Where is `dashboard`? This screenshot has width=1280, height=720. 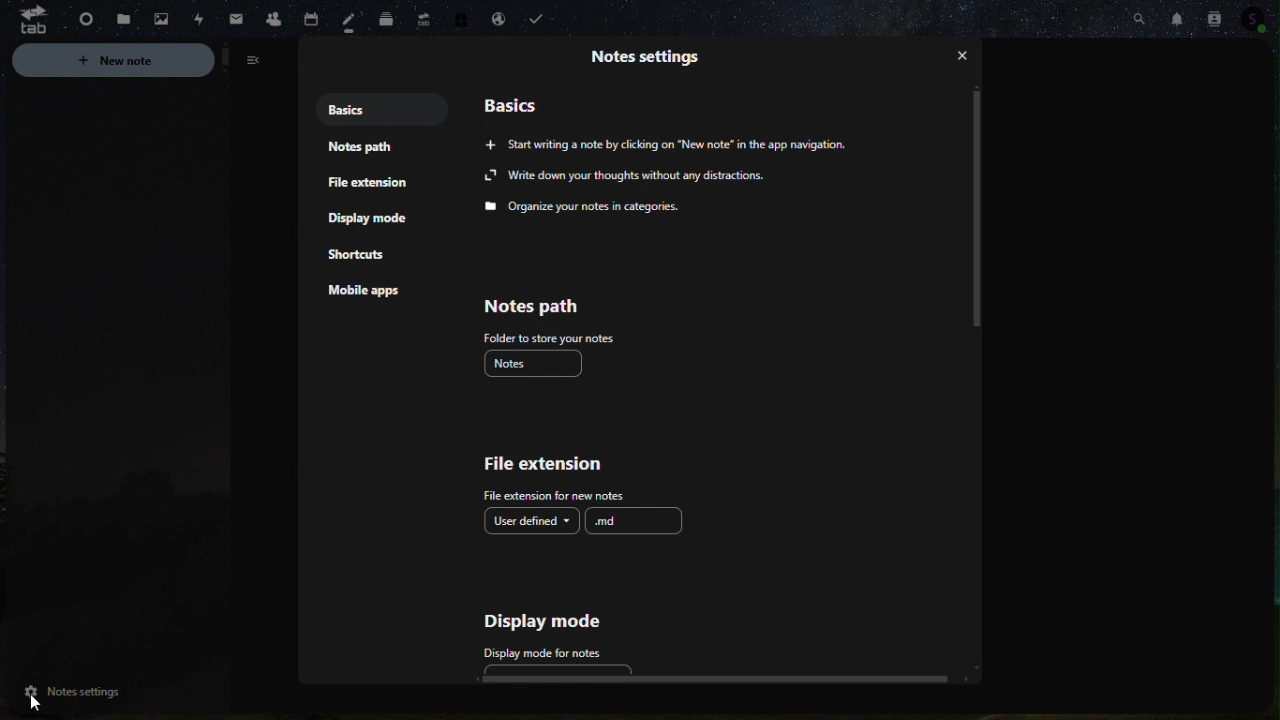 dashboard is located at coordinates (79, 20).